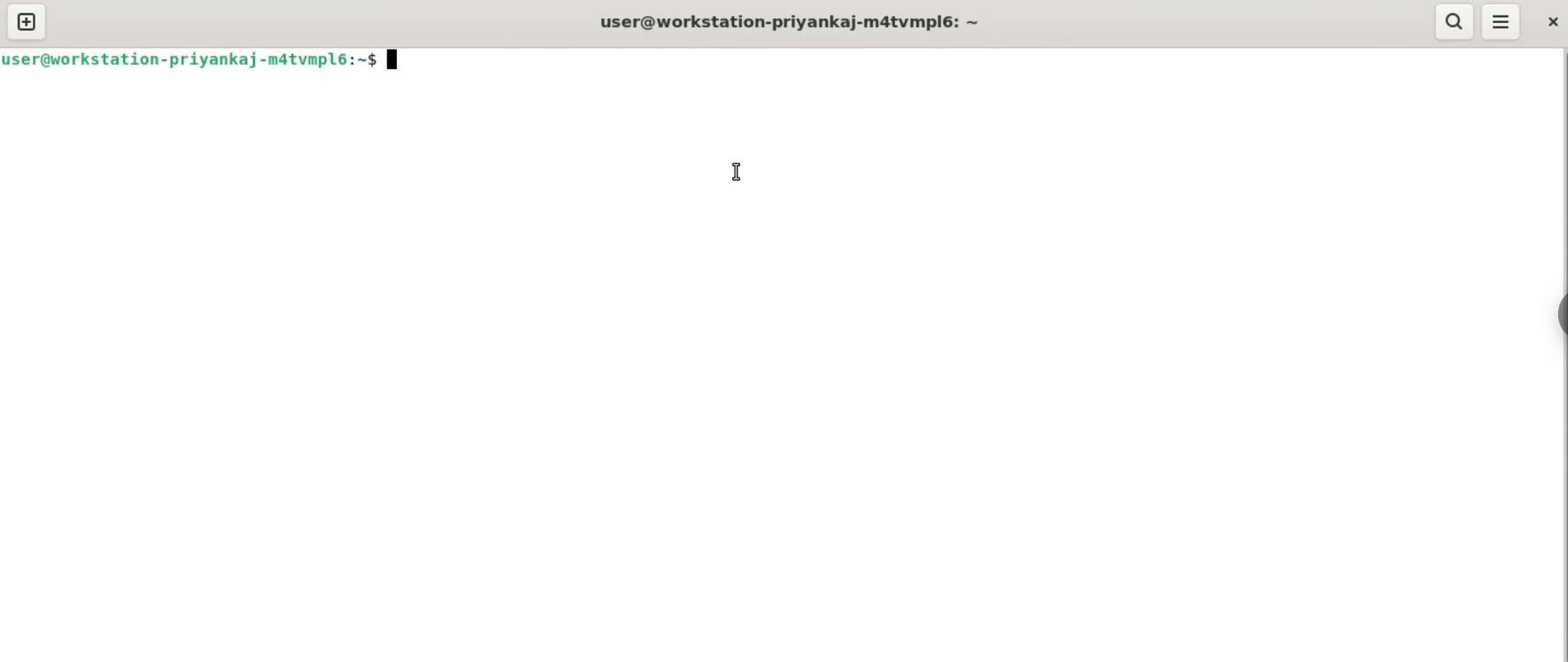 The height and width of the screenshot is (662, 1568). What do you see at coordinates (201, 58) in the screenshot?
I see `user@workstation-priyankaj-m4tvmpl6: ~$` at bounding box center [201, 58].